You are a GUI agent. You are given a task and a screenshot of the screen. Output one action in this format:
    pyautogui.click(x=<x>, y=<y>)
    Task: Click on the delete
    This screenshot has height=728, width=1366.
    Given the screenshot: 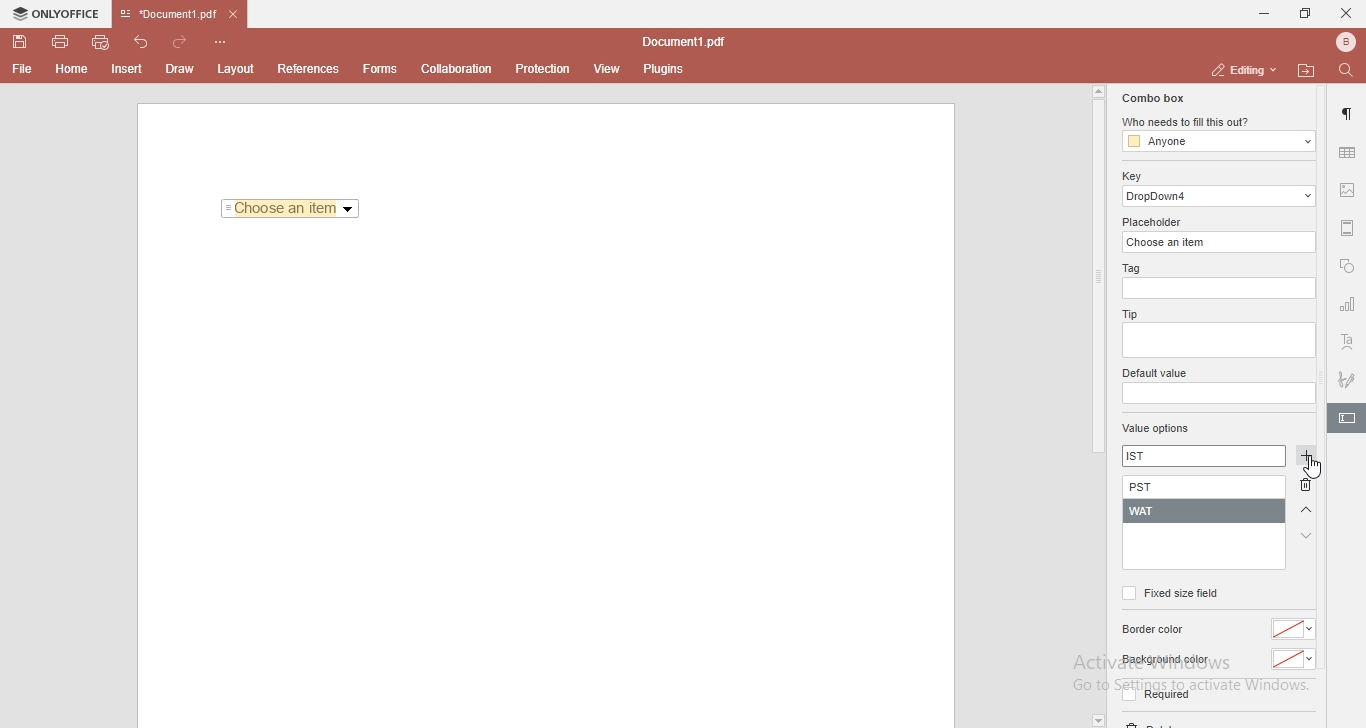 What is the action you would take?
    pyautogui.click(x=1310, y=488)
    